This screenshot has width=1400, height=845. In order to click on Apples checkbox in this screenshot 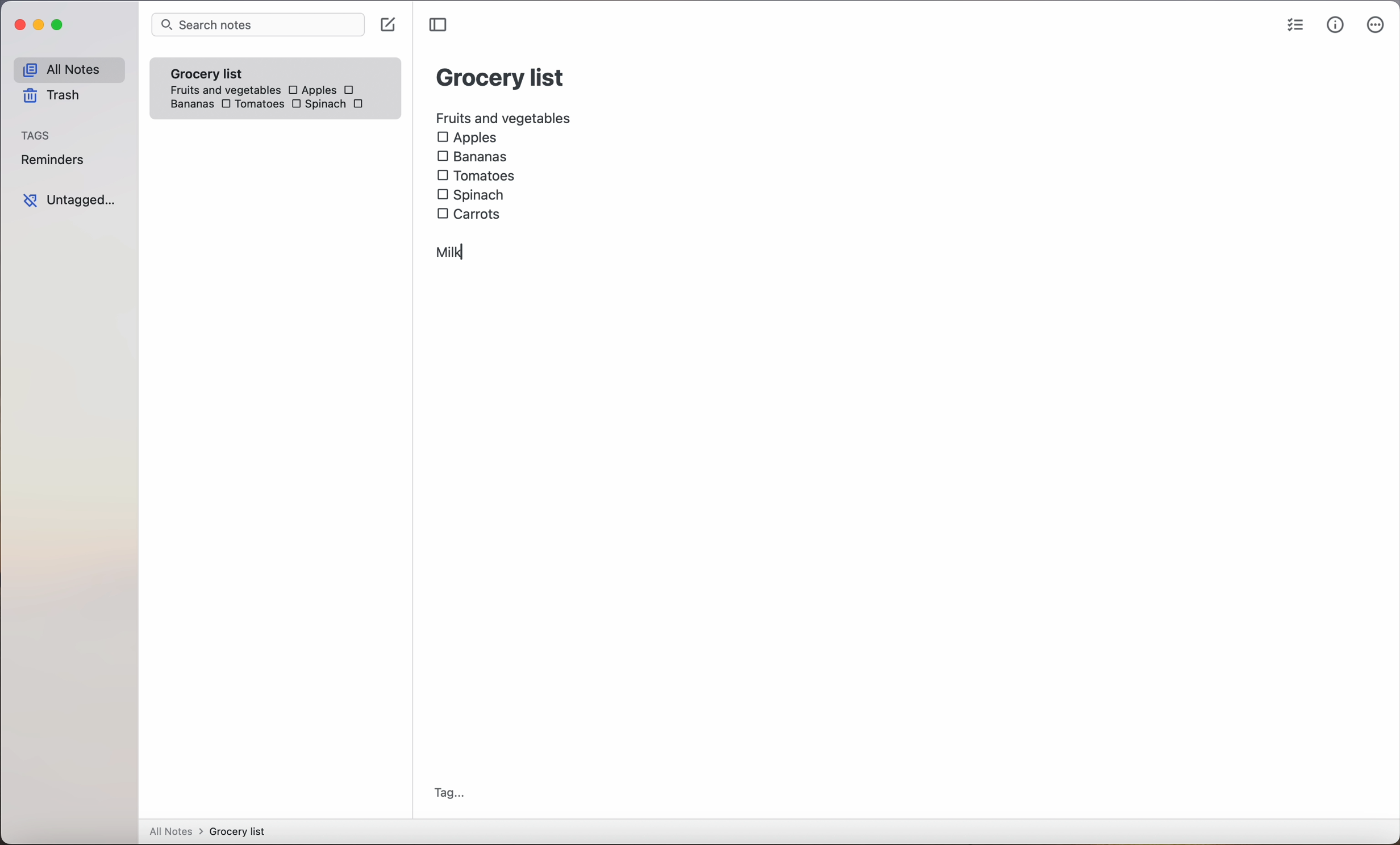, I will do `click(311, 90)`.